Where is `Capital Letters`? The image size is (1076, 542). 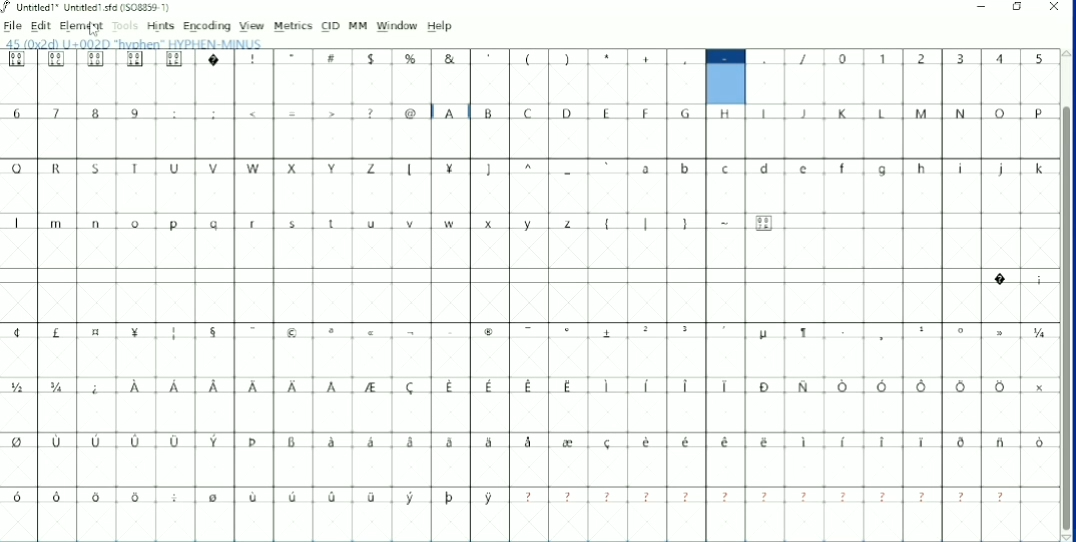 Capital Letters is located at coordinates (743, 114).